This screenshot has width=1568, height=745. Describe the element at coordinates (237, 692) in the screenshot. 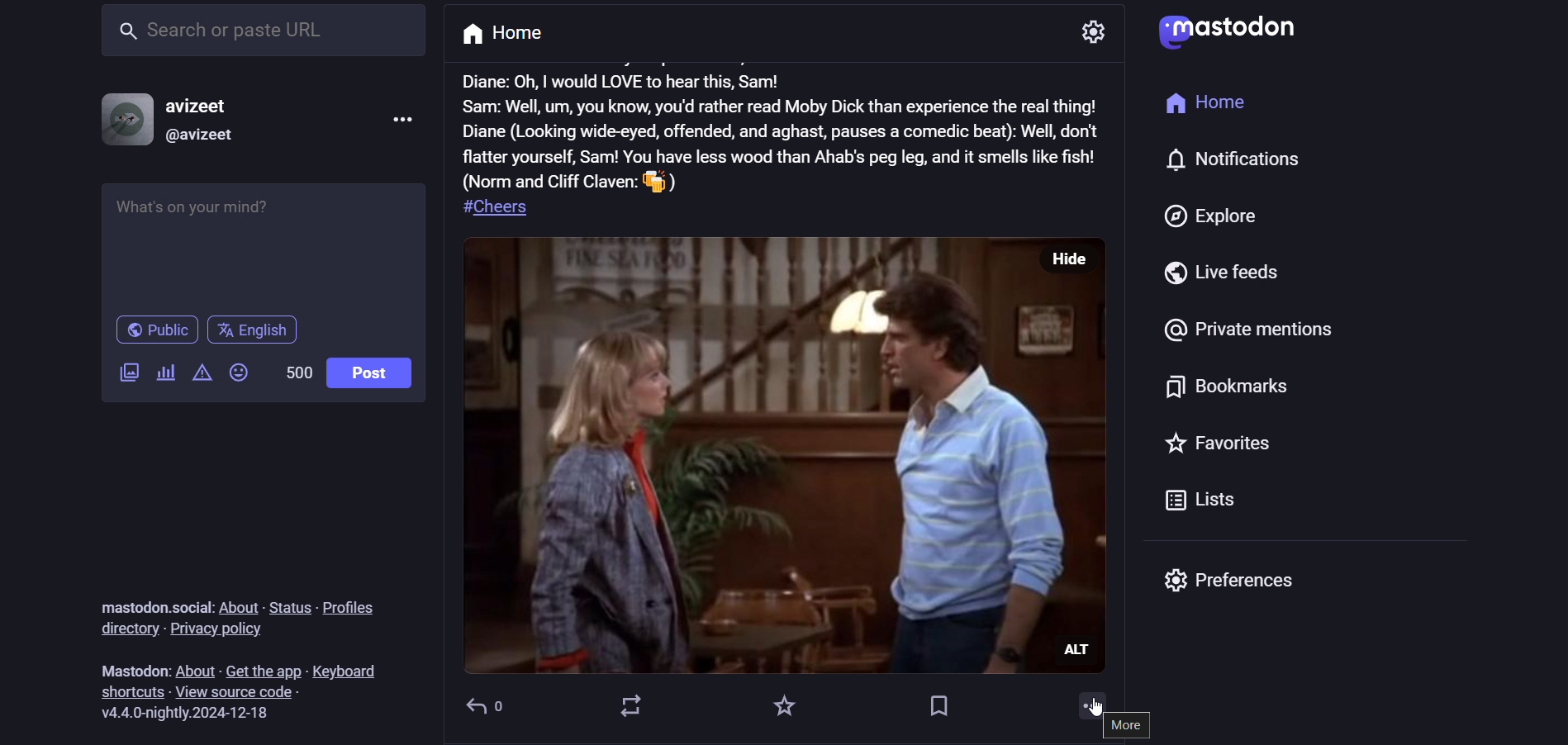

I see `view source code` at that location.